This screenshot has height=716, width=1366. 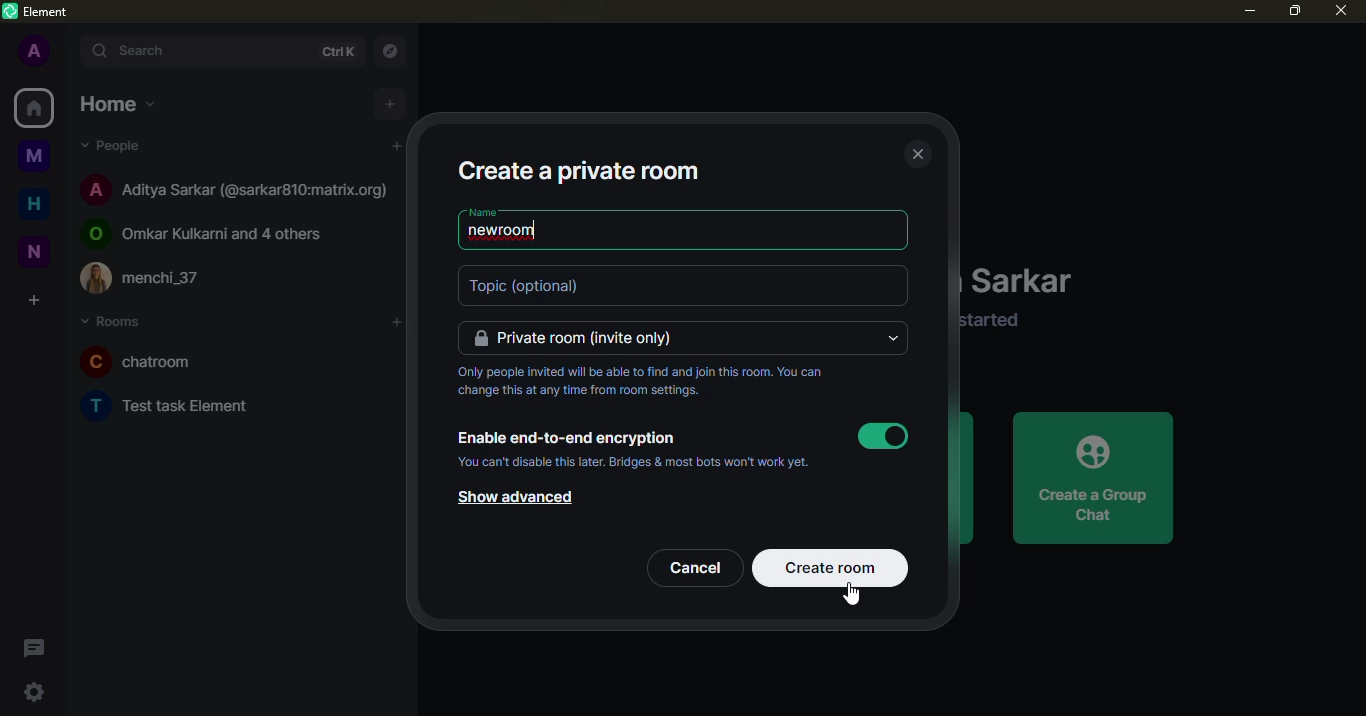 What do you see at coordinates (1294, 12) in the screenshot?
I see `maximize` at bounding box center [1294, 12].